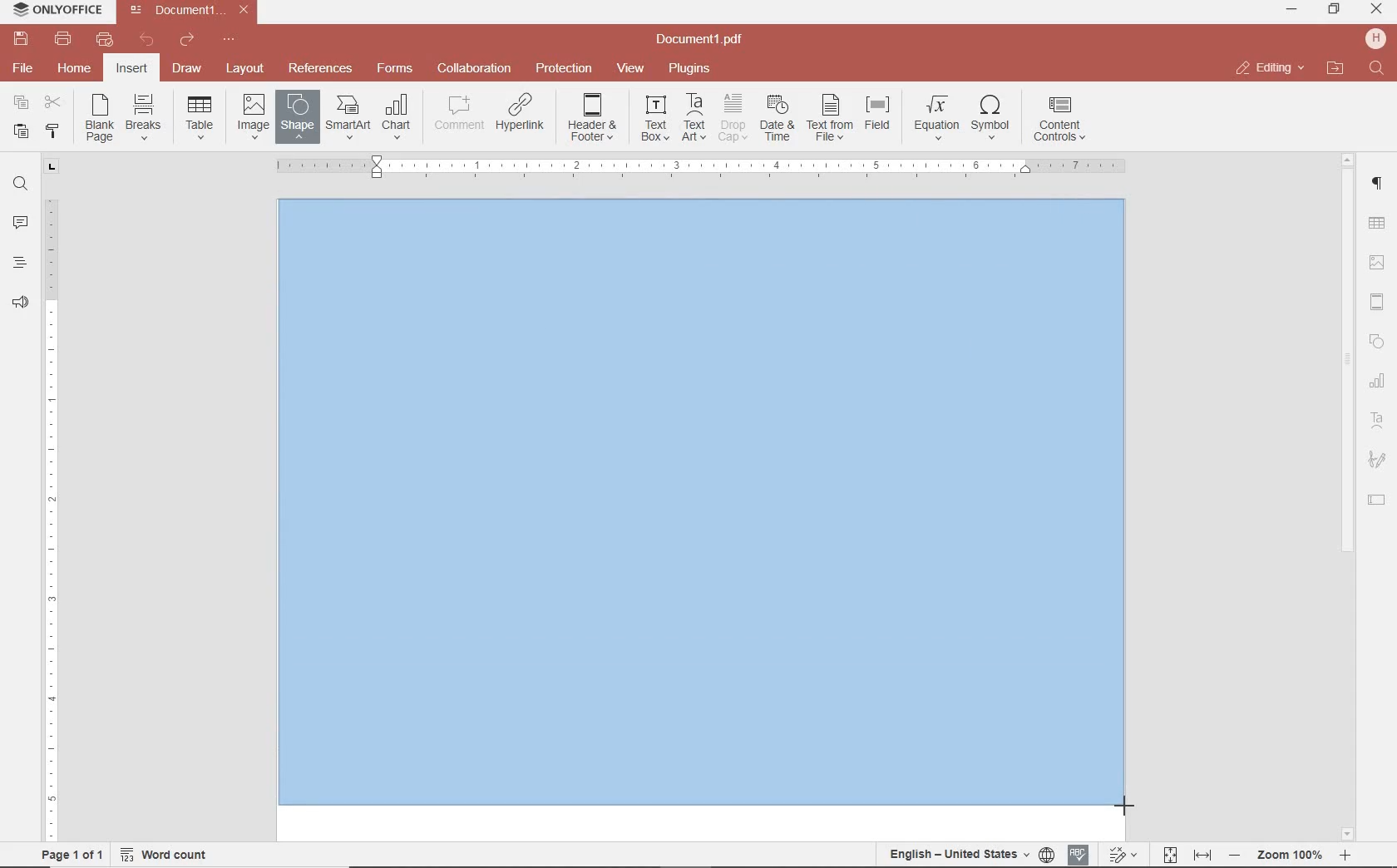 This screenshot has height=868, width=1397. Describe the element at coordinates (19, 131) in the screenshot. I see `paste` at that location.